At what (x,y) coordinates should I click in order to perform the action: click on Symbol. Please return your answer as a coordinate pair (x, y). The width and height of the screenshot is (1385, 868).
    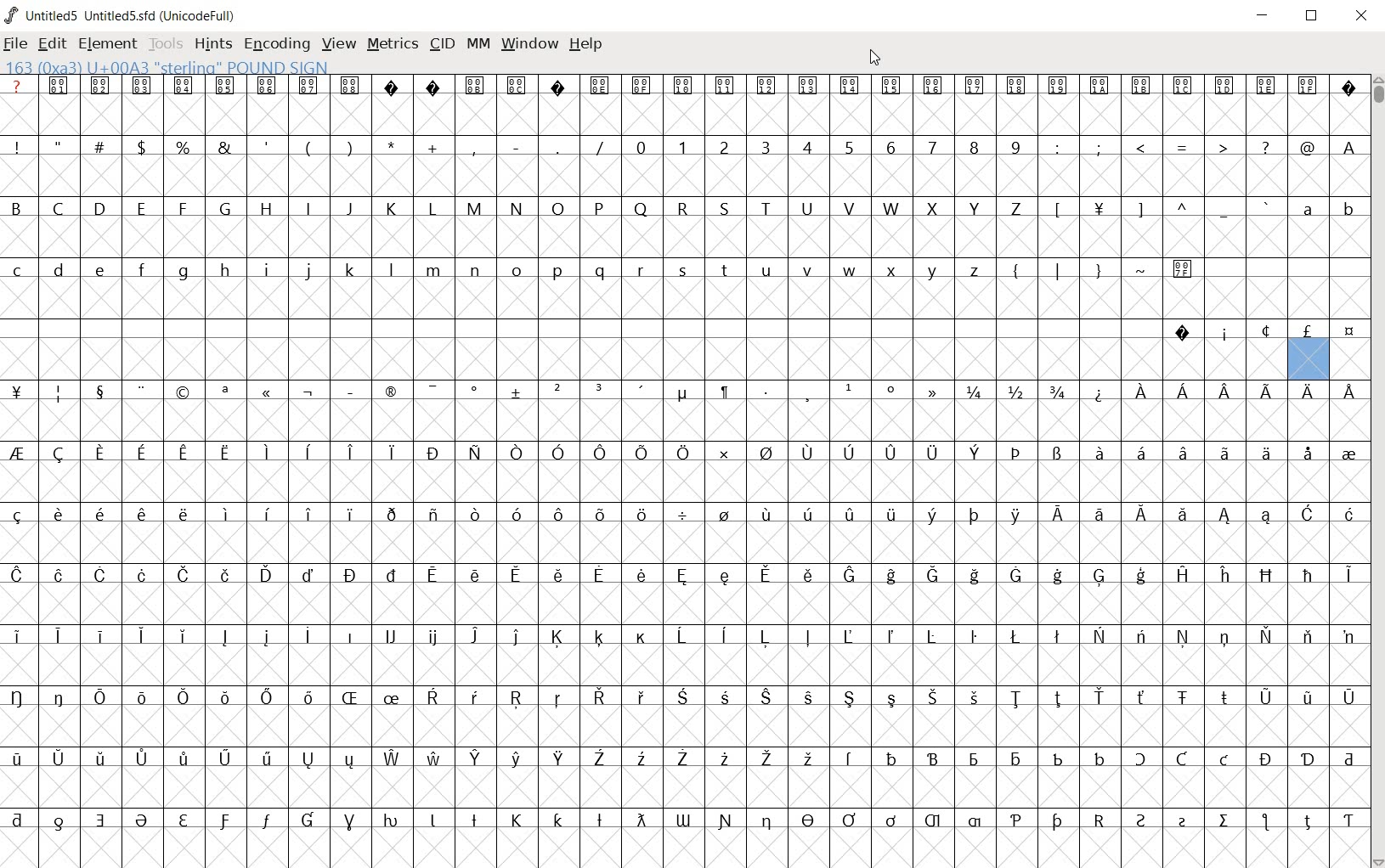
    Looking at the image, I should click on (562, 515).